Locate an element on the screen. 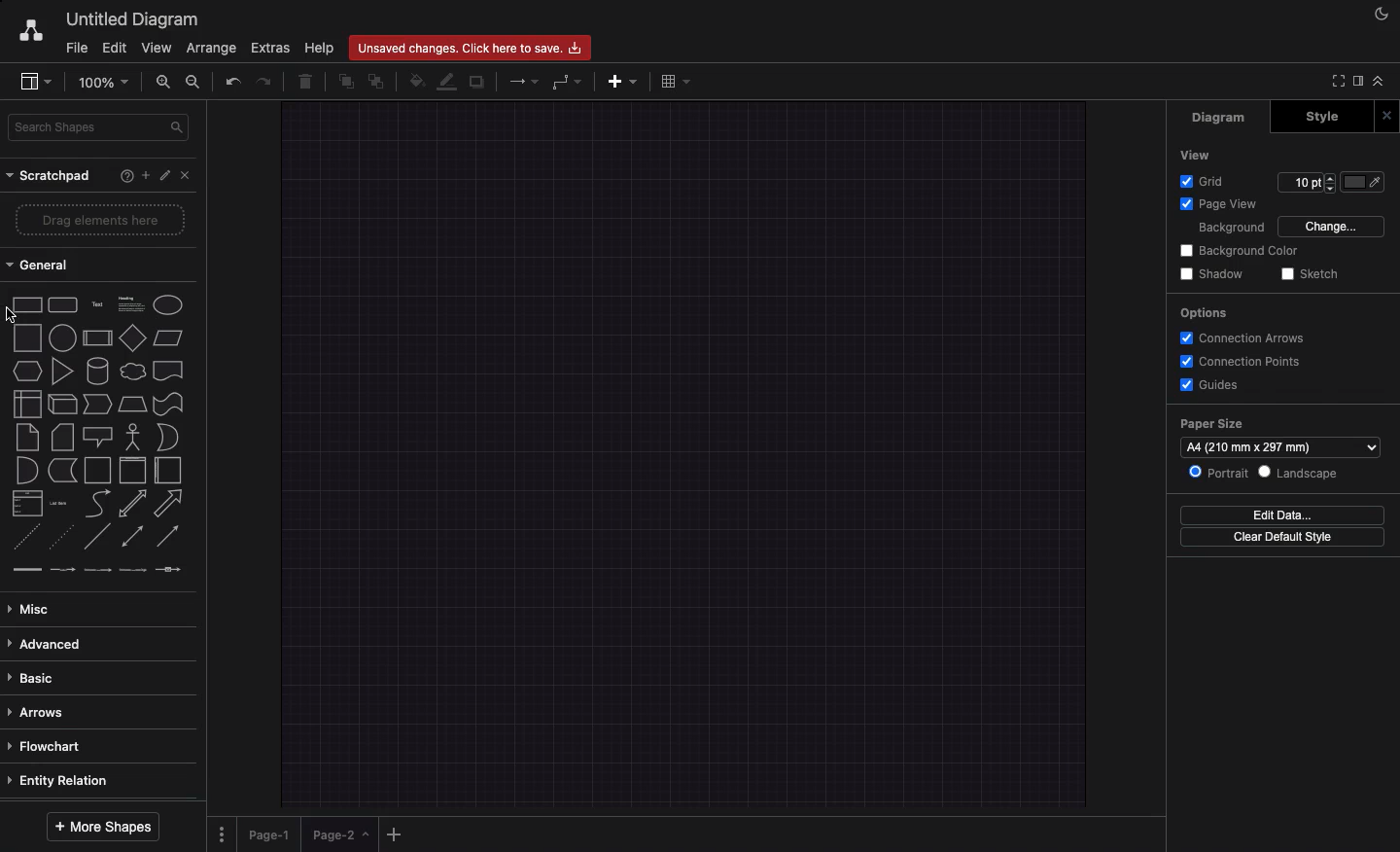 The height and width of the screenshot is (852, 1400). arrow is located at coordinates (172, 503).